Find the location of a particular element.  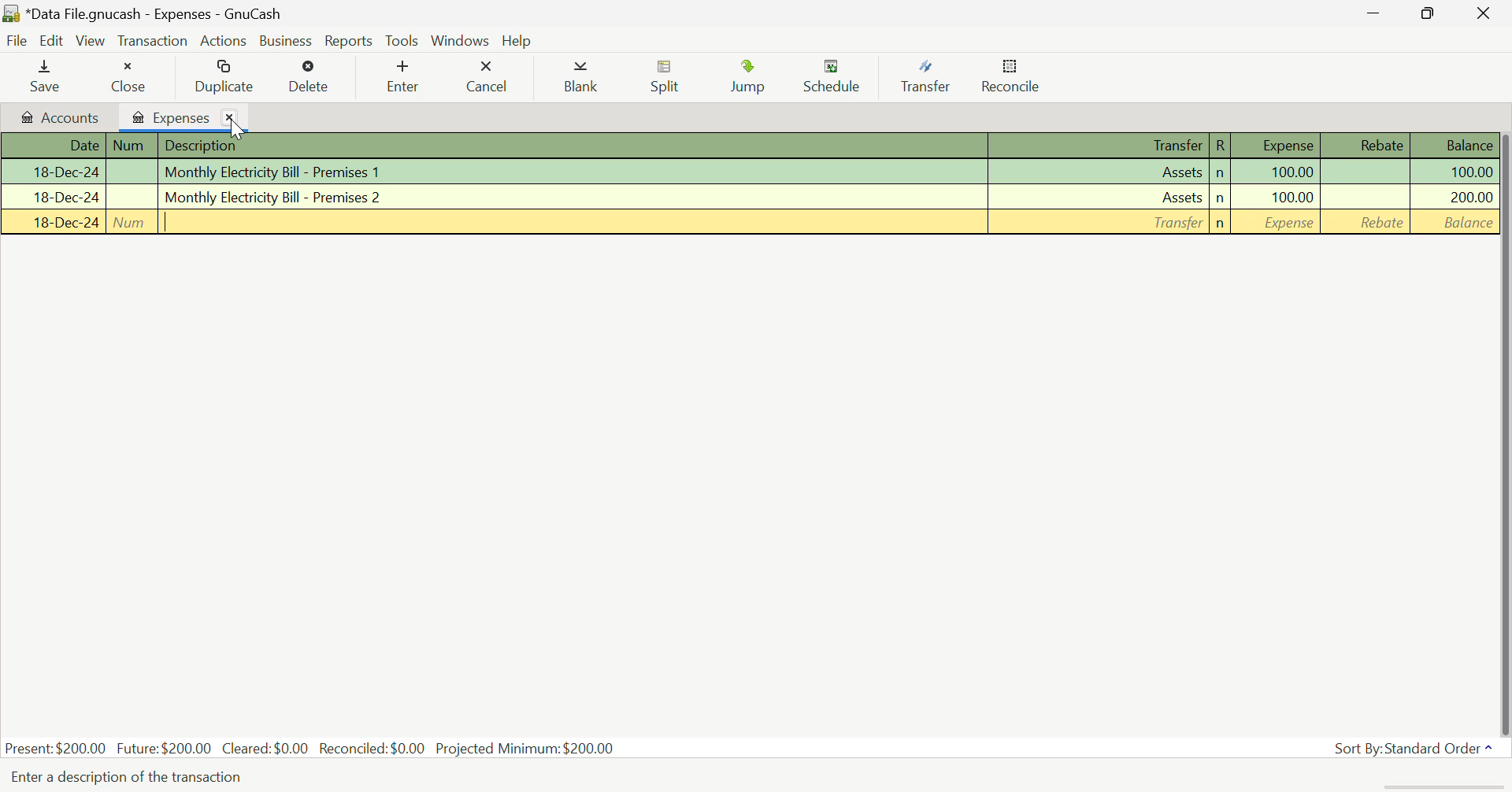

Jump is located at coordinates (753, 80).